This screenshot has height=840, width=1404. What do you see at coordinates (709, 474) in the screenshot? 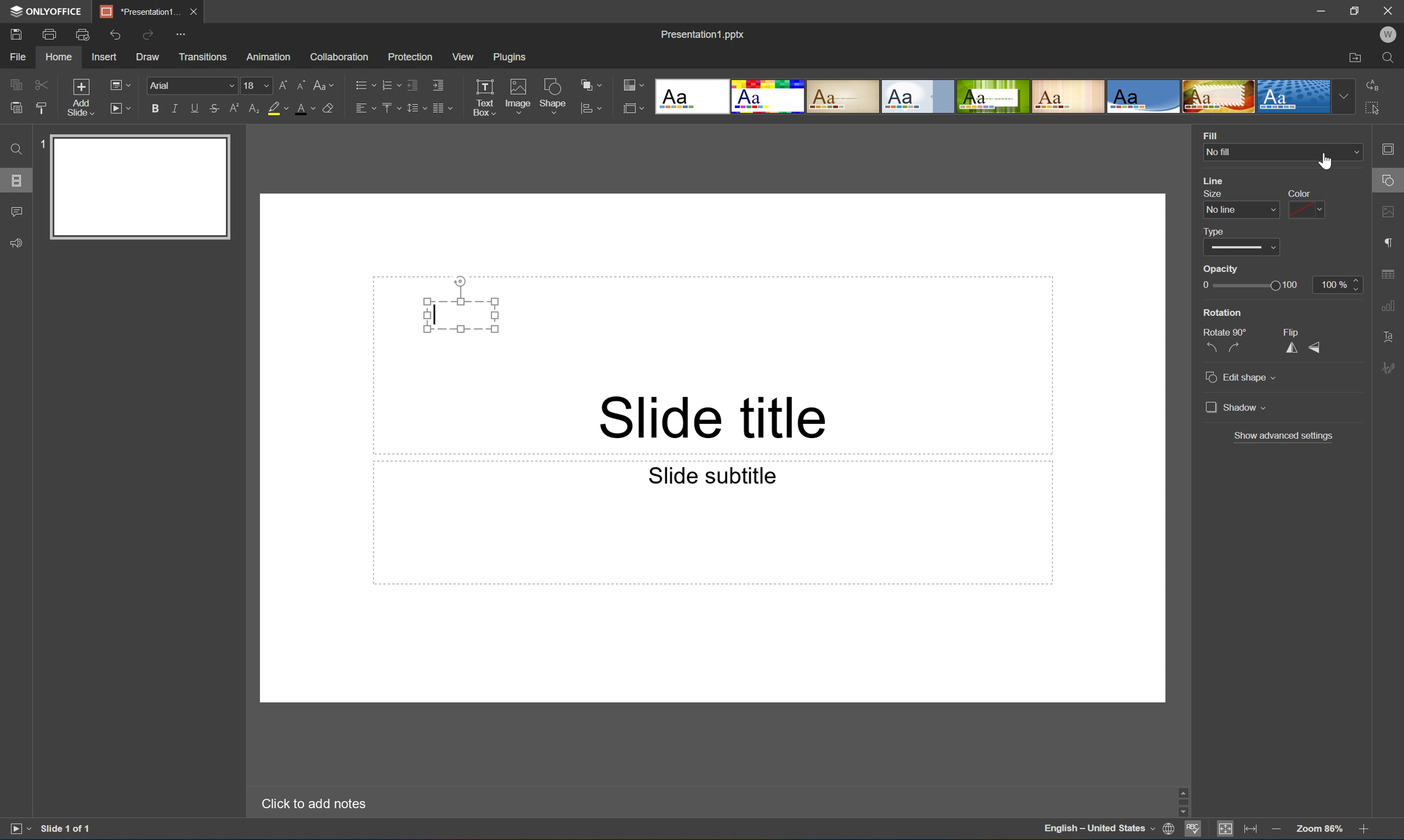
I see `Slide subtitle` at bounding box center [709, 474].